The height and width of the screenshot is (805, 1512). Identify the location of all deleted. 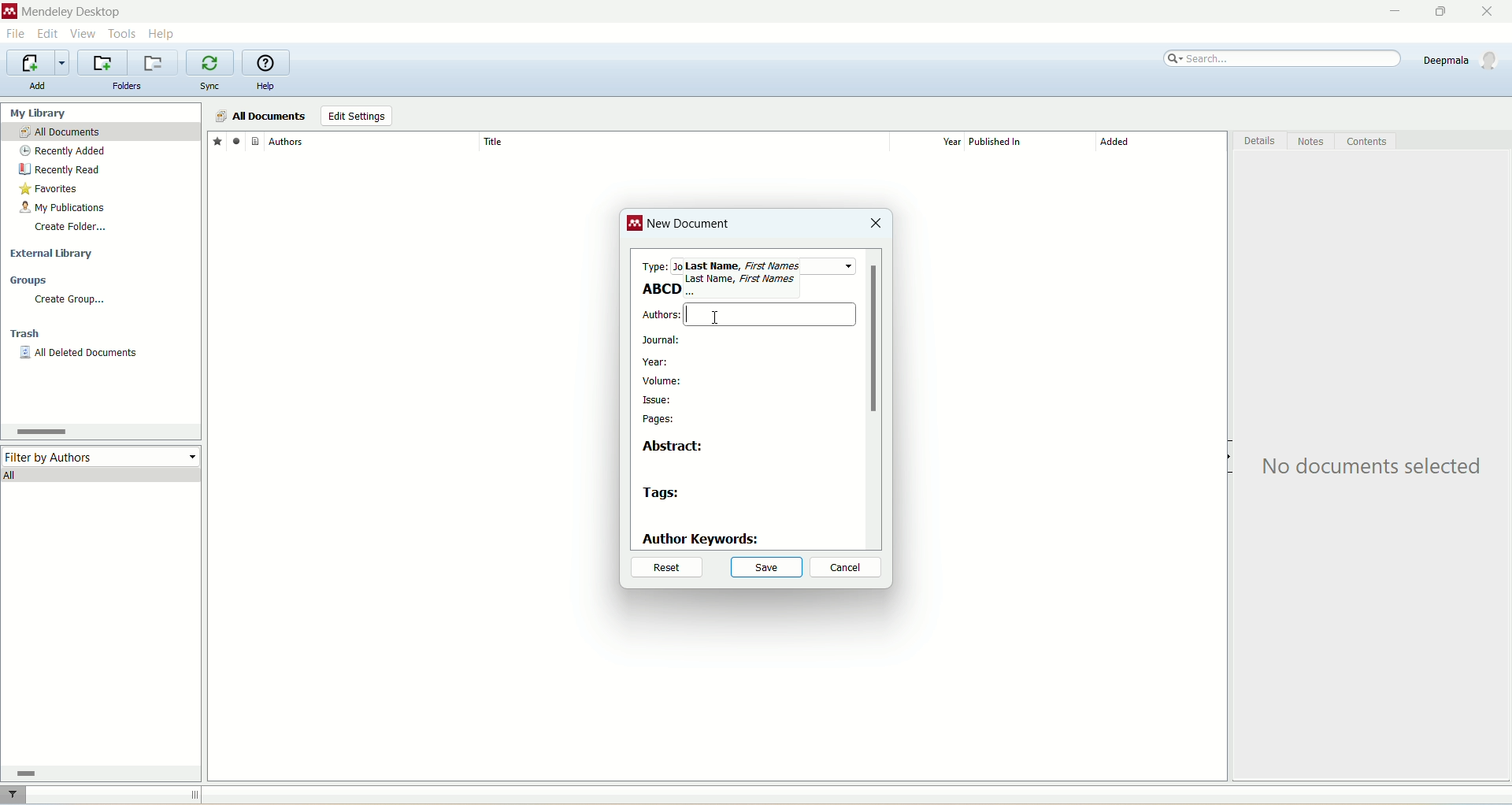
(80, 354).